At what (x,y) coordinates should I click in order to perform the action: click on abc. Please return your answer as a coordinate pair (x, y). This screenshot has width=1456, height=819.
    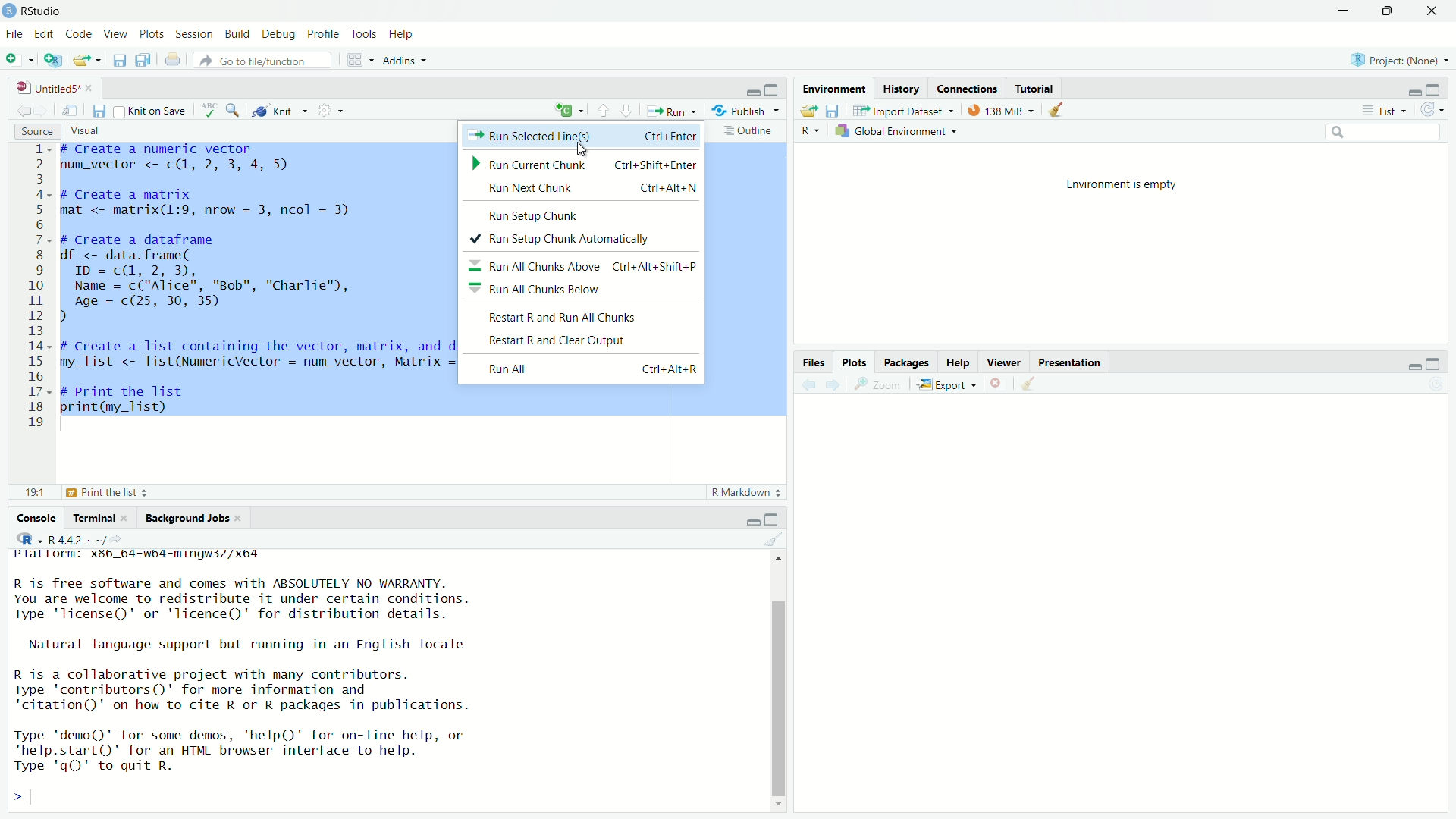
    Looking at the image, I should click on (212, 109).